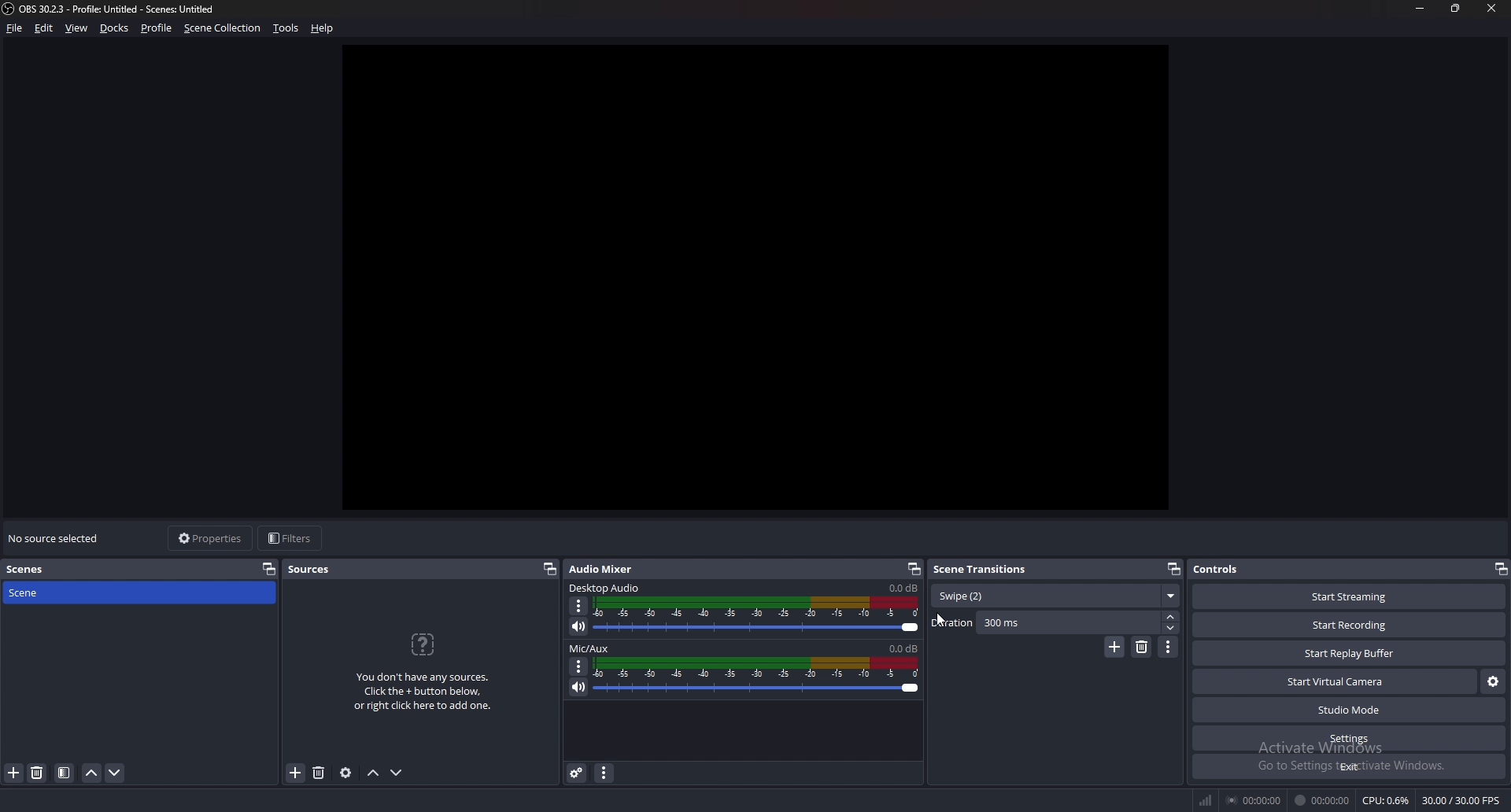  What do you see at coordinates (290, 538) in the screenshot?
I see `filters` at bounding box center [290, 538].